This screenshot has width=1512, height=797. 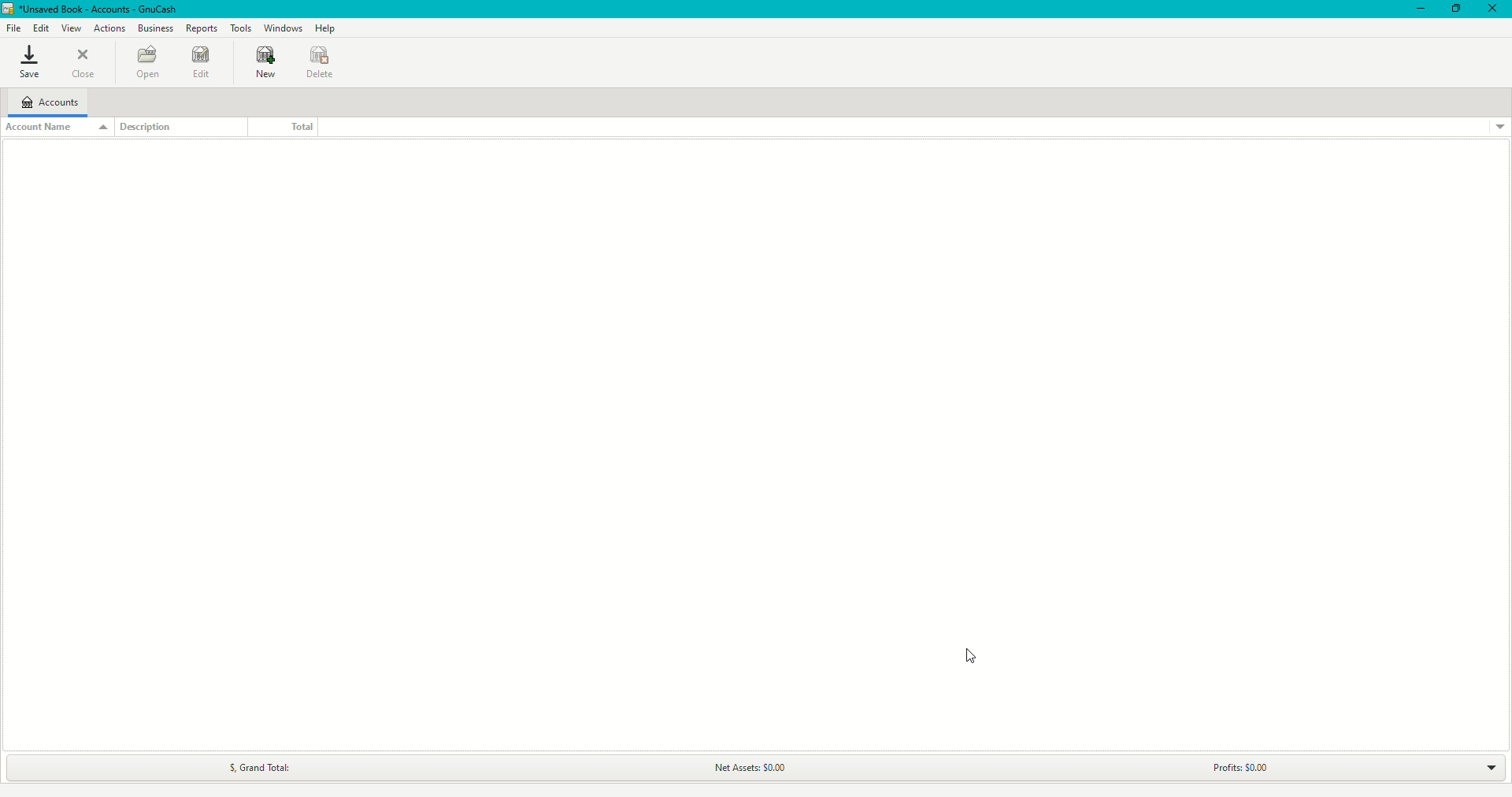 I want to click on Total, so click(x=279, y=126).